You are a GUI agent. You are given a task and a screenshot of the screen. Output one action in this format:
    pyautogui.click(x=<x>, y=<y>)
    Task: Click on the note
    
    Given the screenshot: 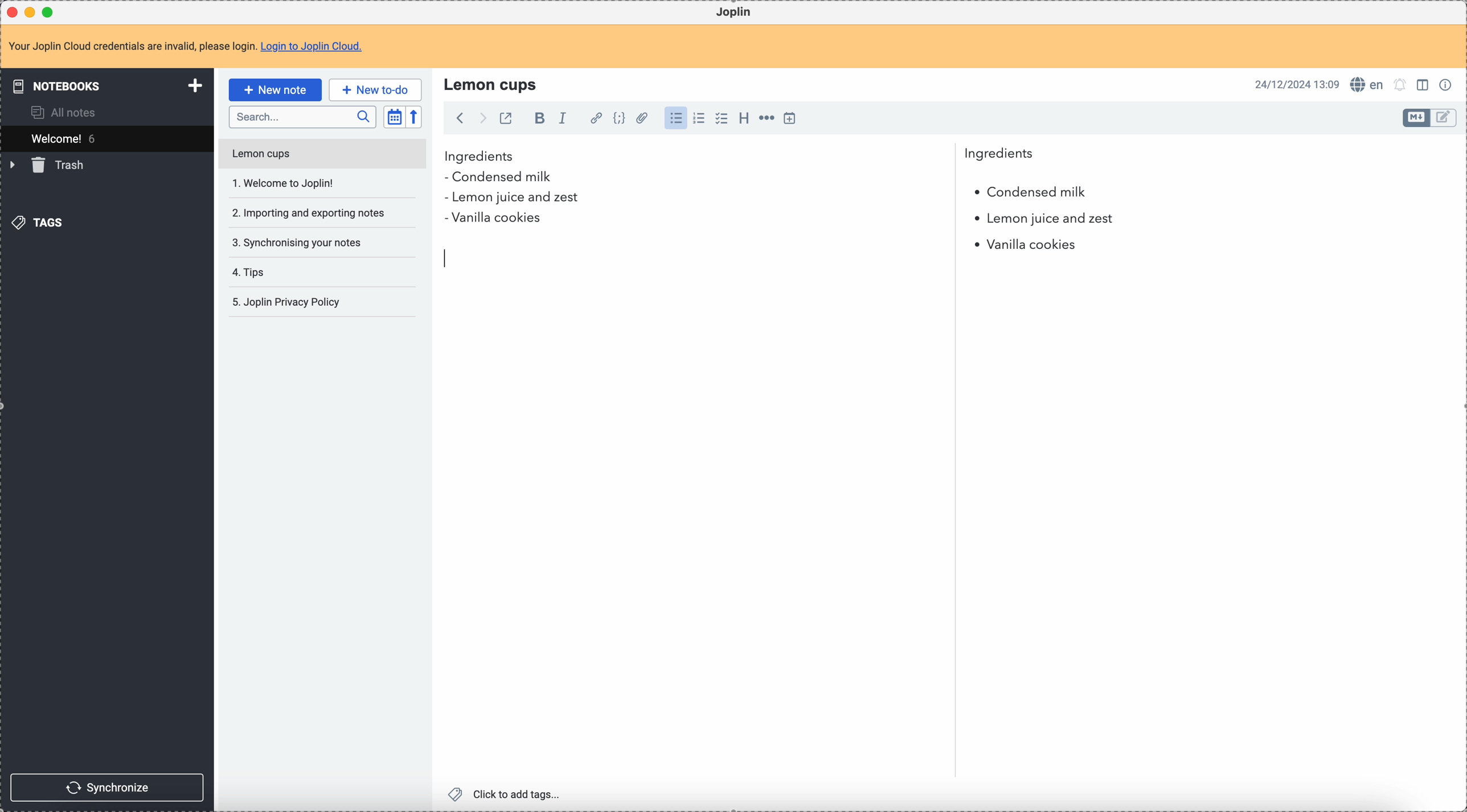 What is the action you would take?
    pyautogui.click(x=192, y=47)
    